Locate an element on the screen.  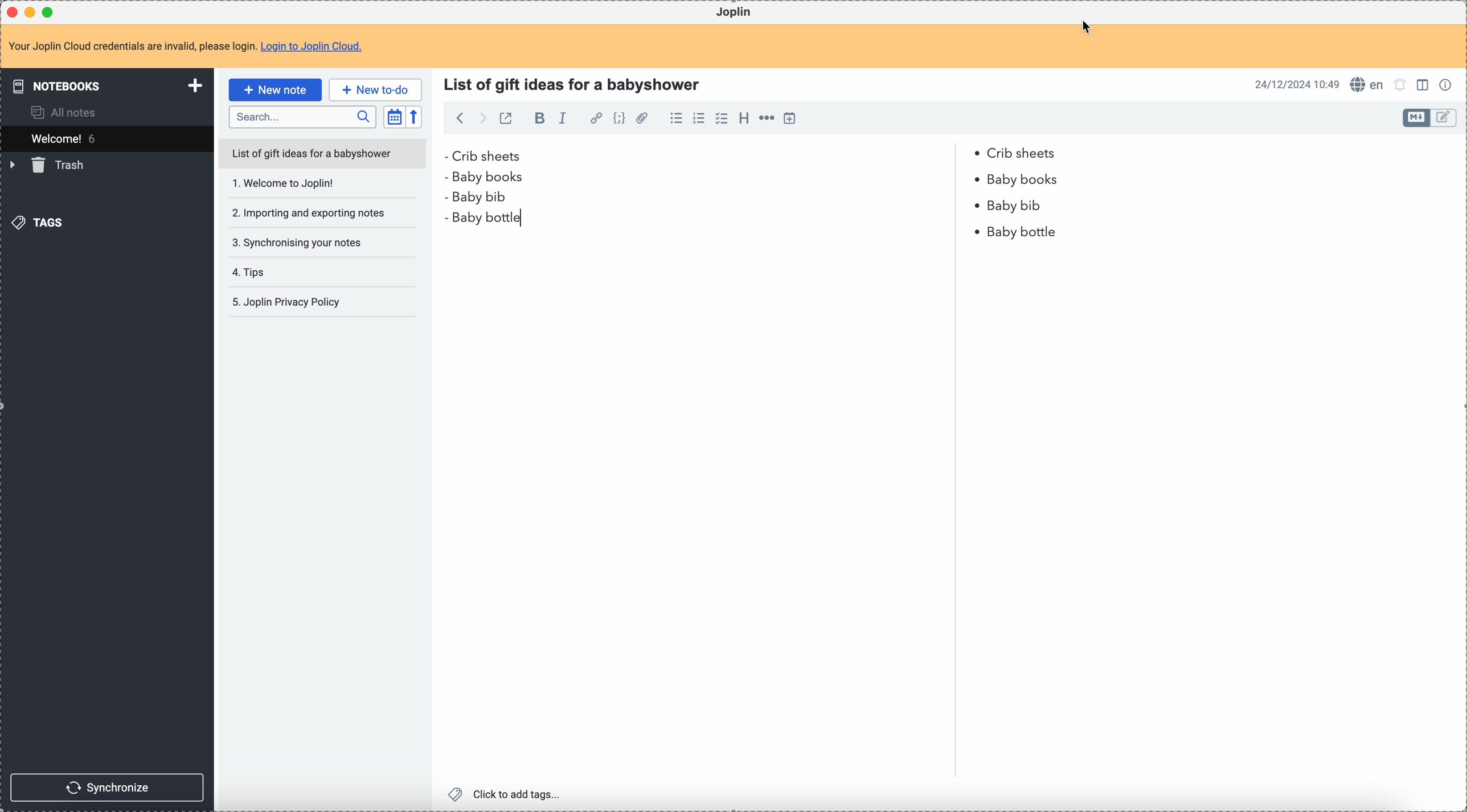
spell checker is located at coordinates (1368, 85).